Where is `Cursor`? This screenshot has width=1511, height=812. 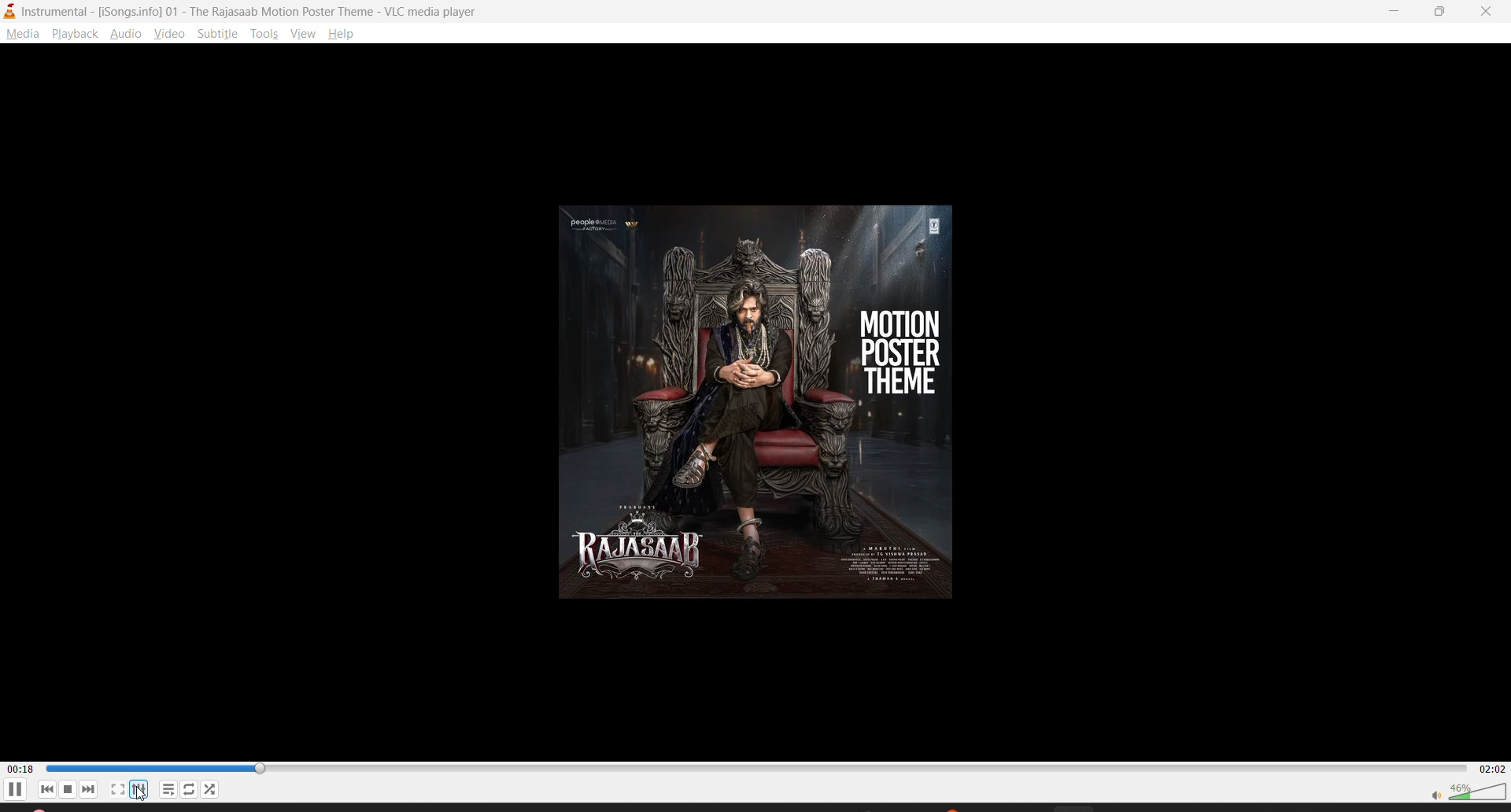 Cursor is located at coordinates (140, 795).